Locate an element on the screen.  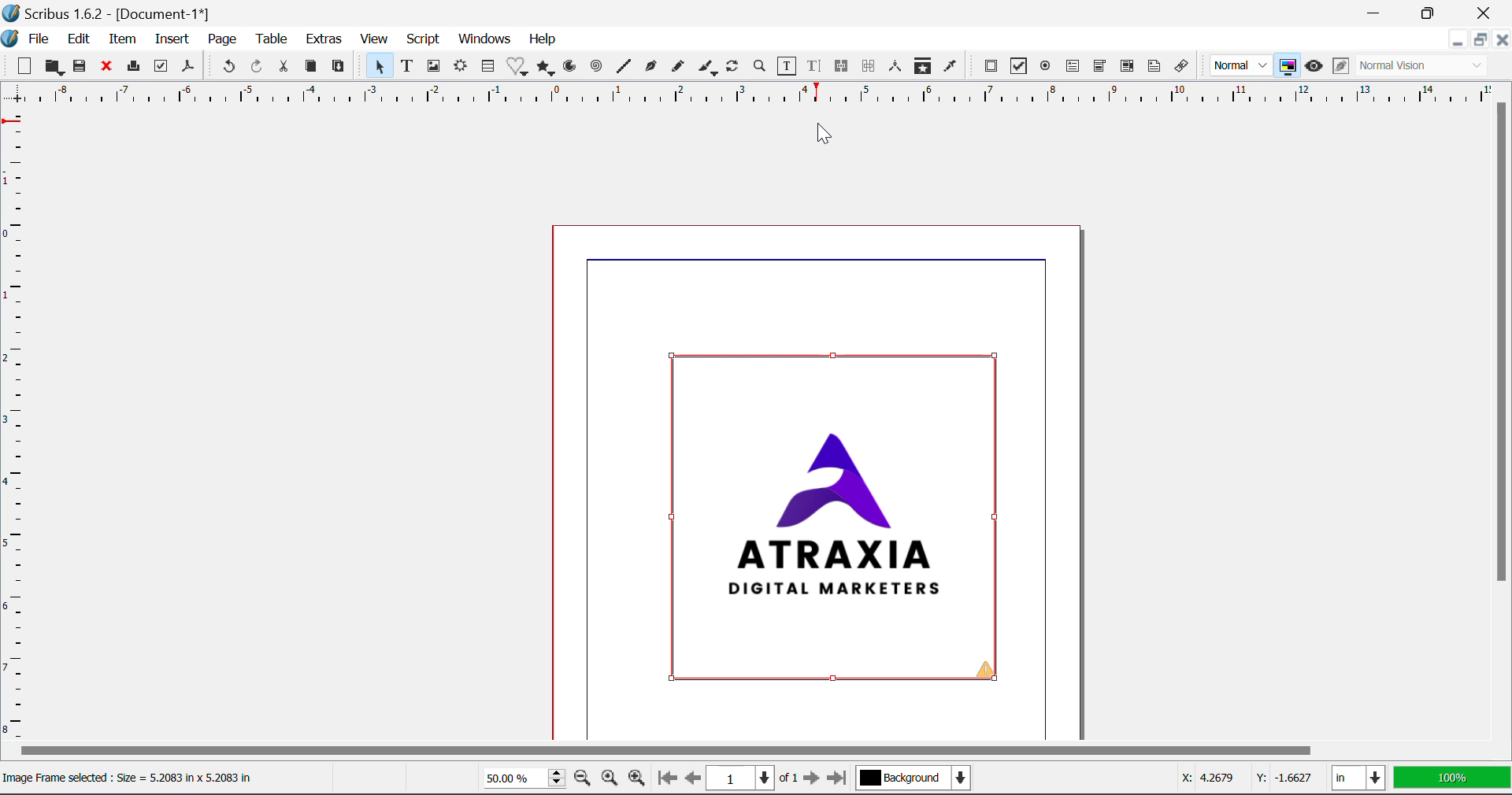
Calligraphic Line is located at coordinates (710, 68).